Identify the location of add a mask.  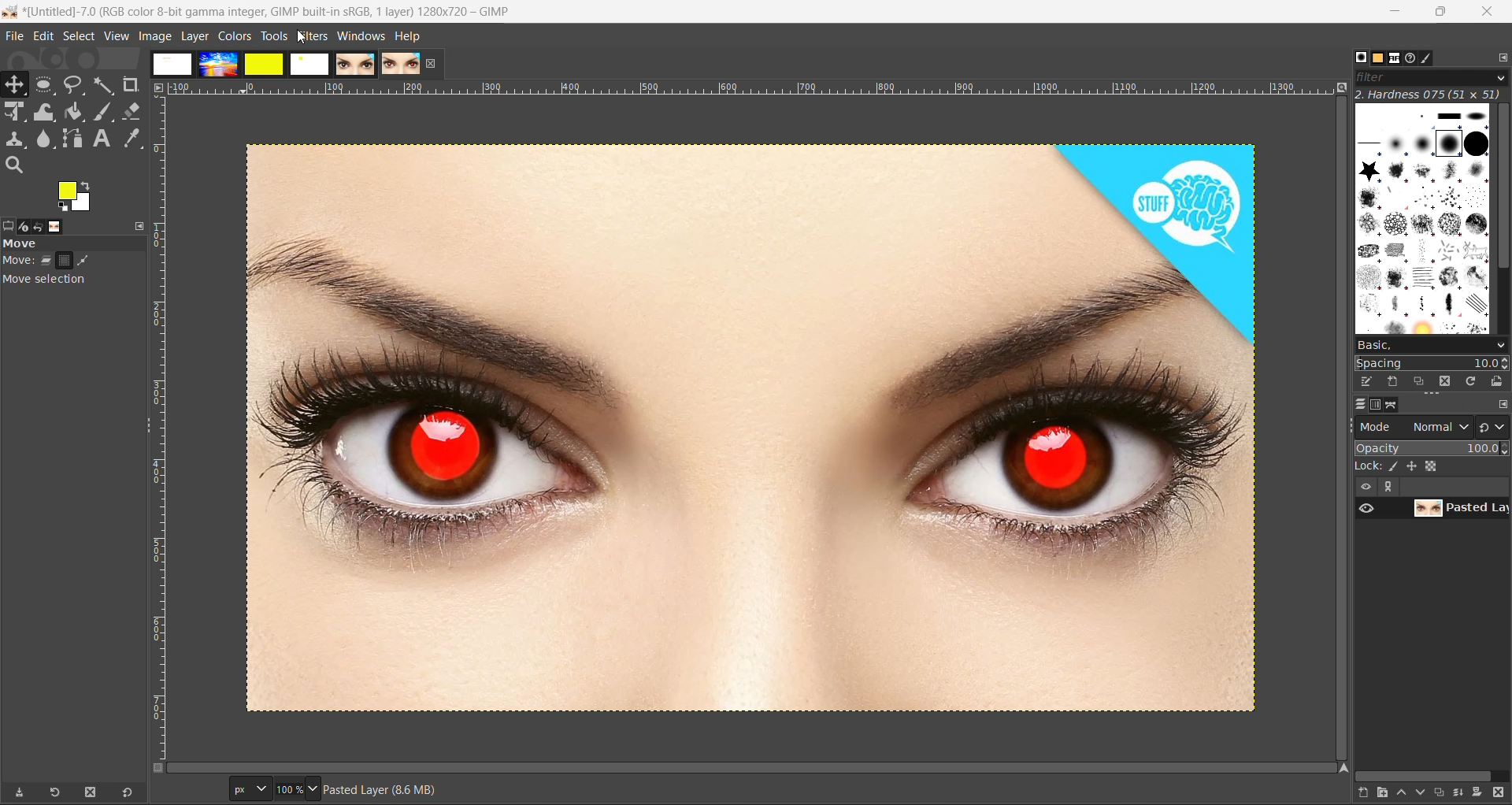
(1482, 795).